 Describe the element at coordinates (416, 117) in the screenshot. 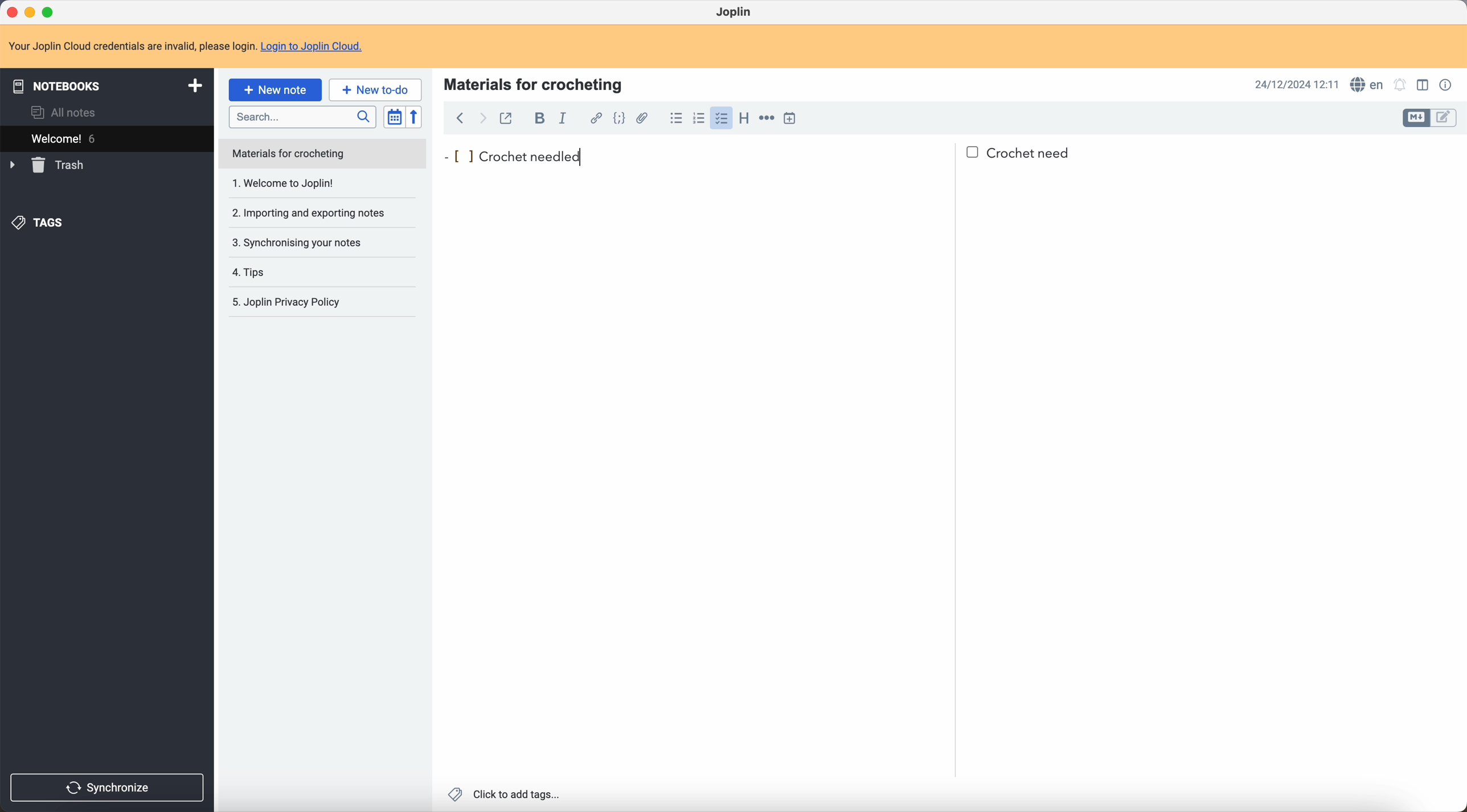

I see `reverse sort order` at that location.